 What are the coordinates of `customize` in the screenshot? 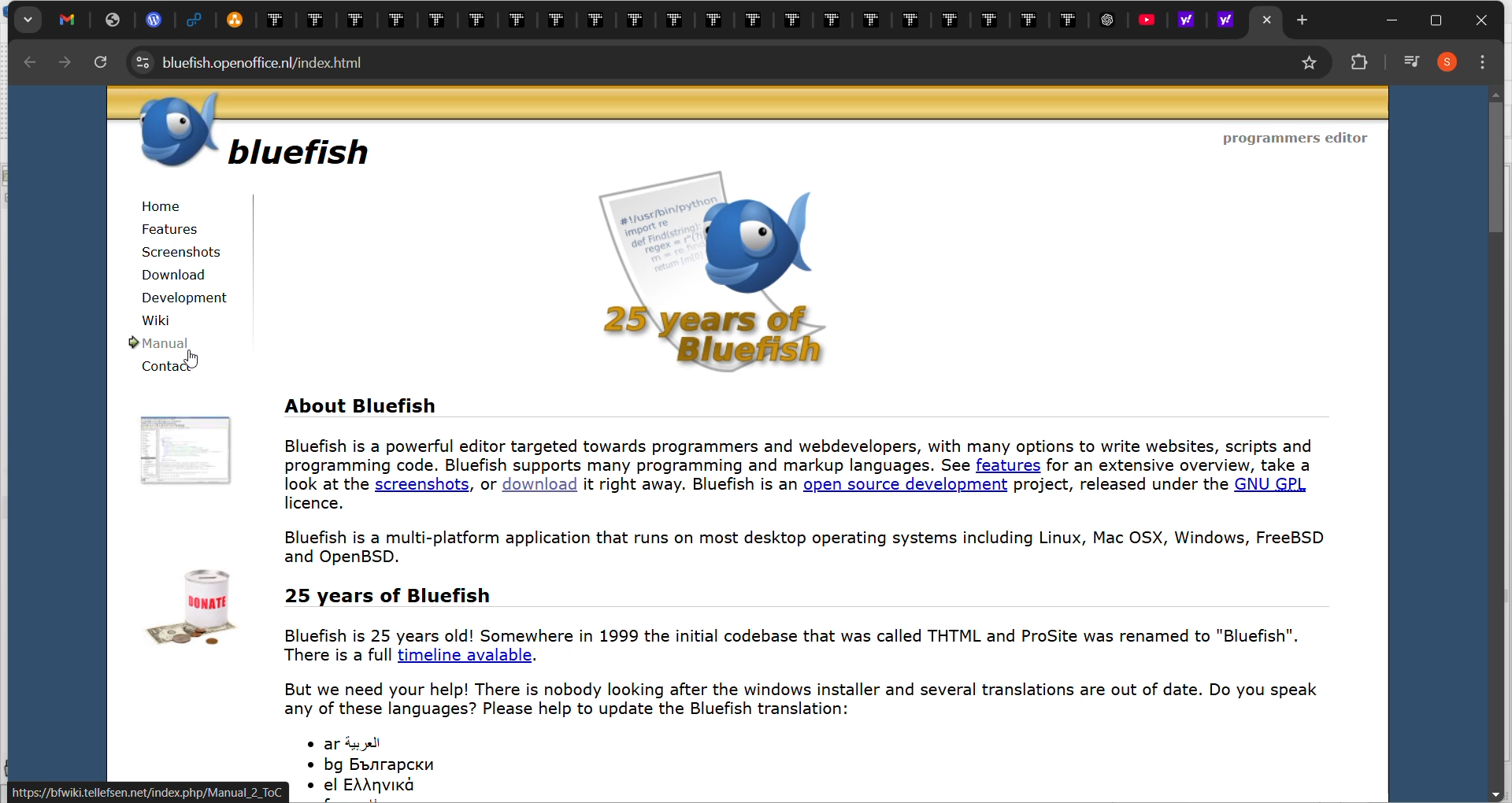 It's located at (1487, 64).